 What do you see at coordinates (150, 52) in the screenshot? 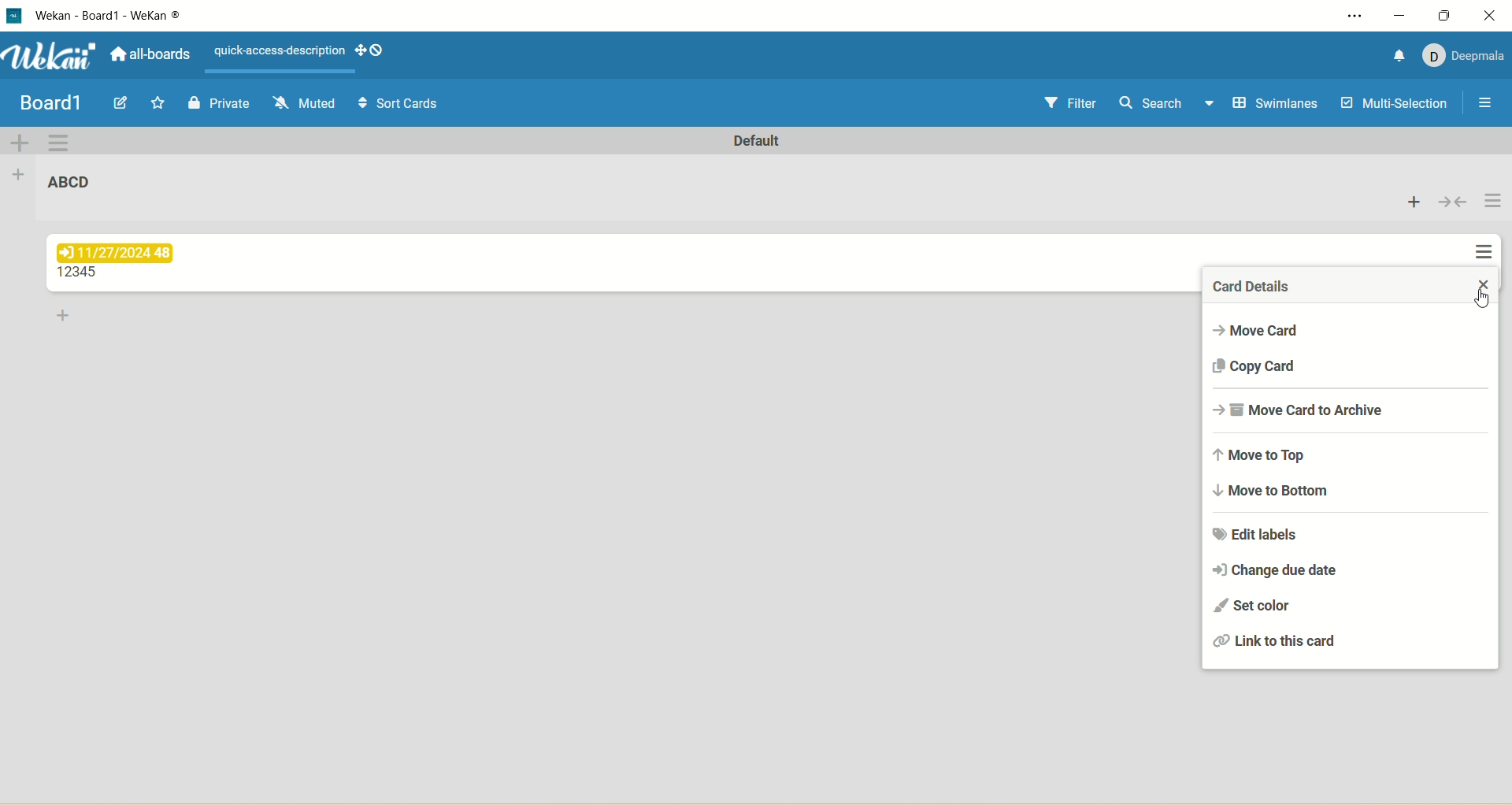
I see `all boards` at bounding box center [150, 52].